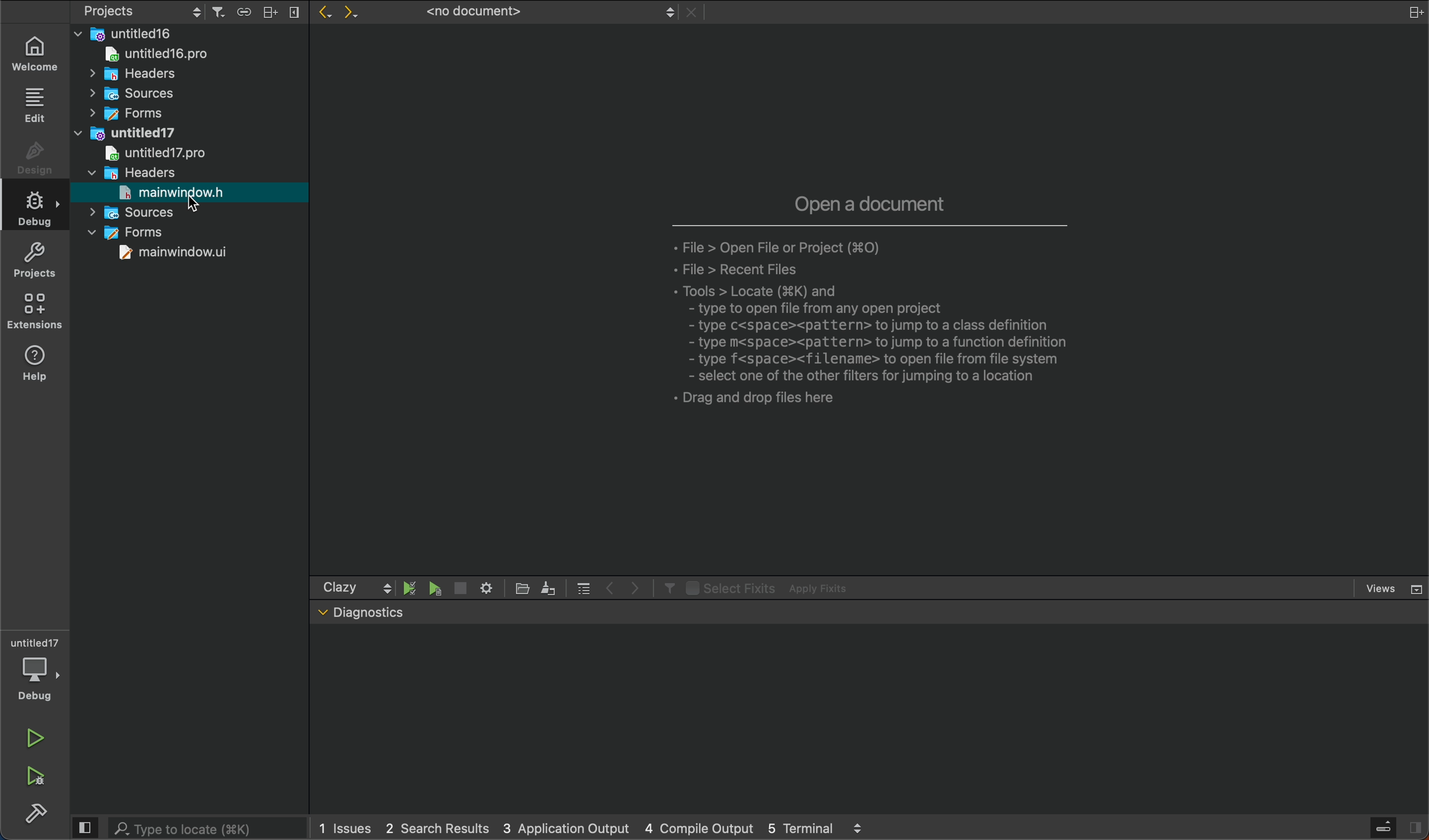  What do you see at coordinates (129, 33) in the screenshot?
I see `| untitled16` at bounding box center [129, 33].